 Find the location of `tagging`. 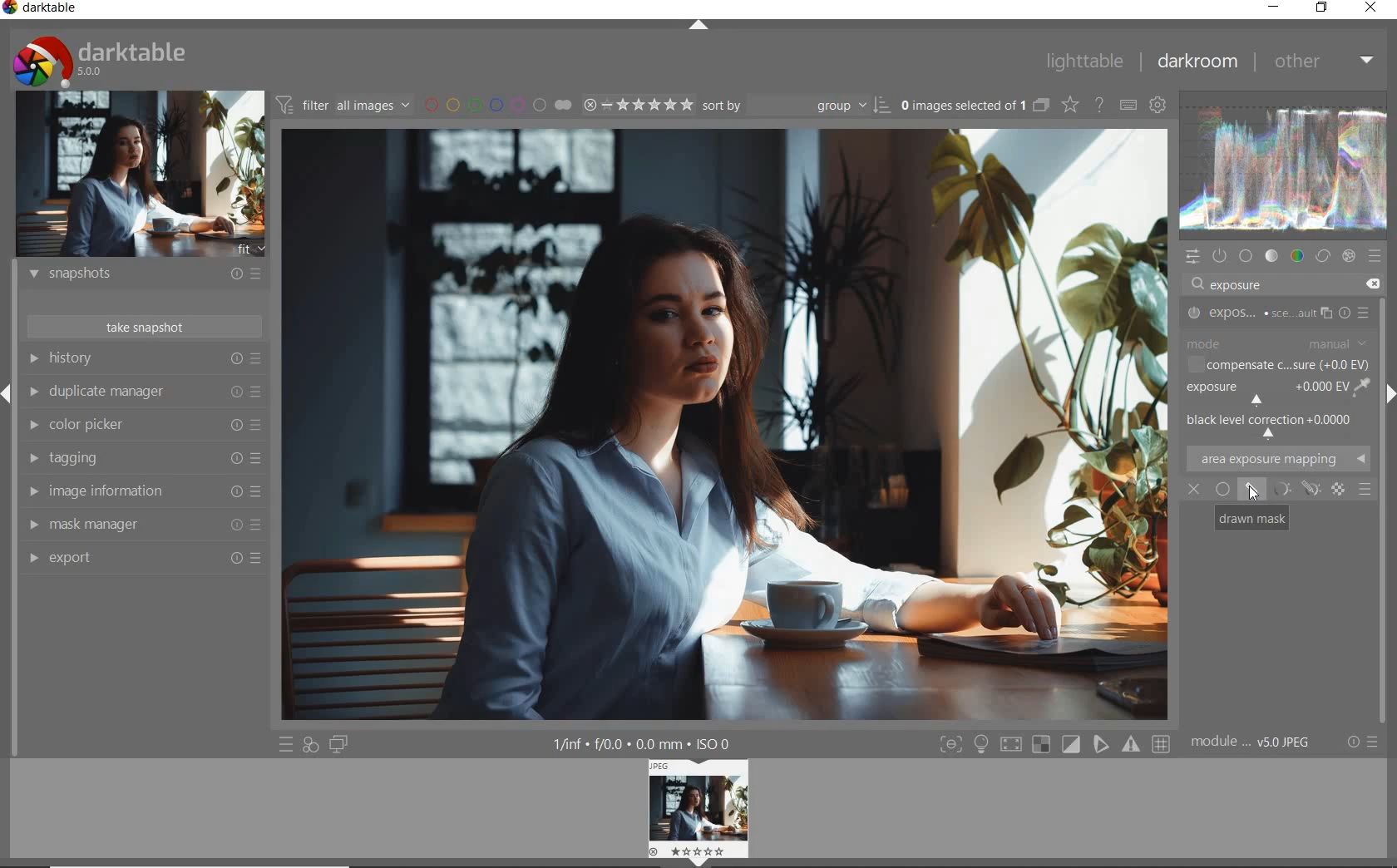

tagging is located at coordinates (146, 459).